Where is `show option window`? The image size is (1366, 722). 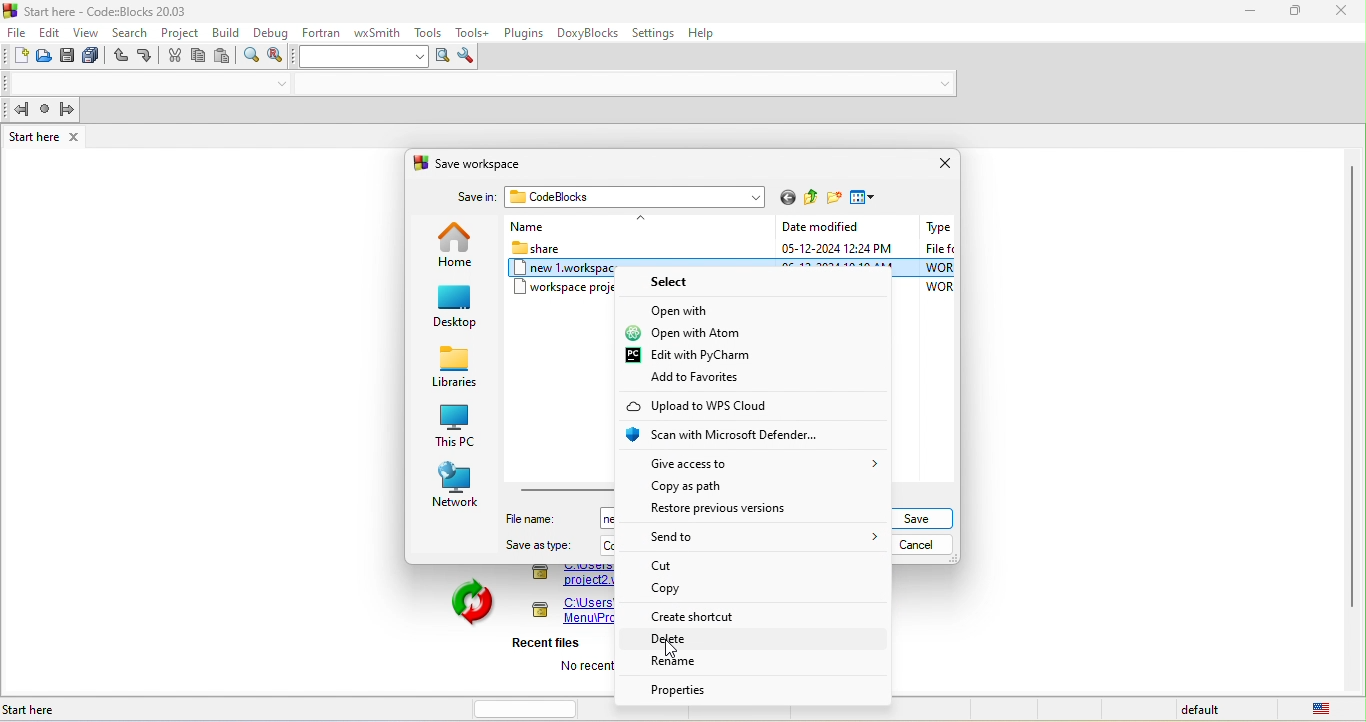
show option window is located at coordinates (469, 57).